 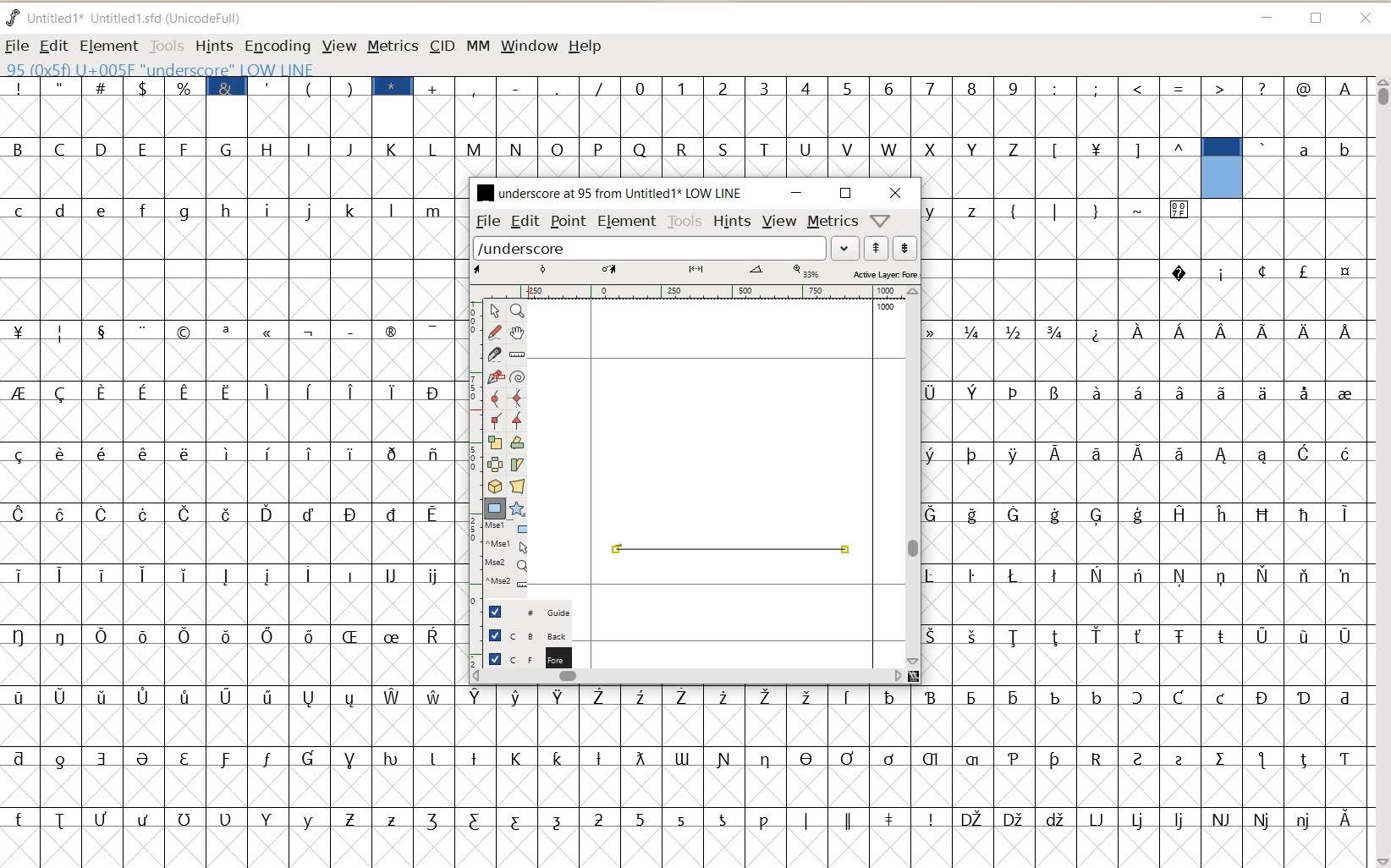 What do you see at coordinates (846, 249) in the screenshot?
I see `EXPAND` at bounding box center [846, 249].